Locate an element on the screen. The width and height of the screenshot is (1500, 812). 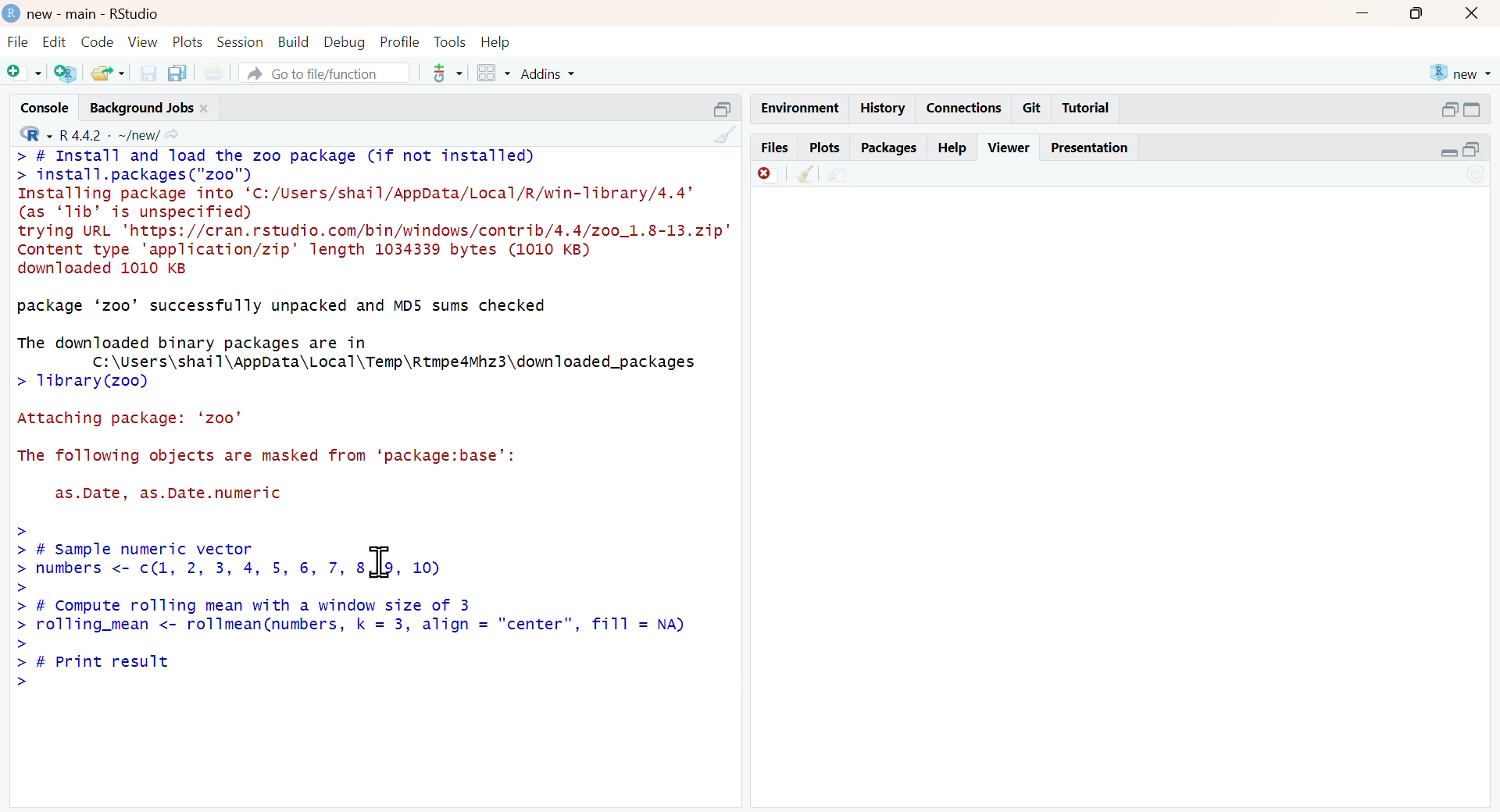
addins is located at coordinates (551, 73).